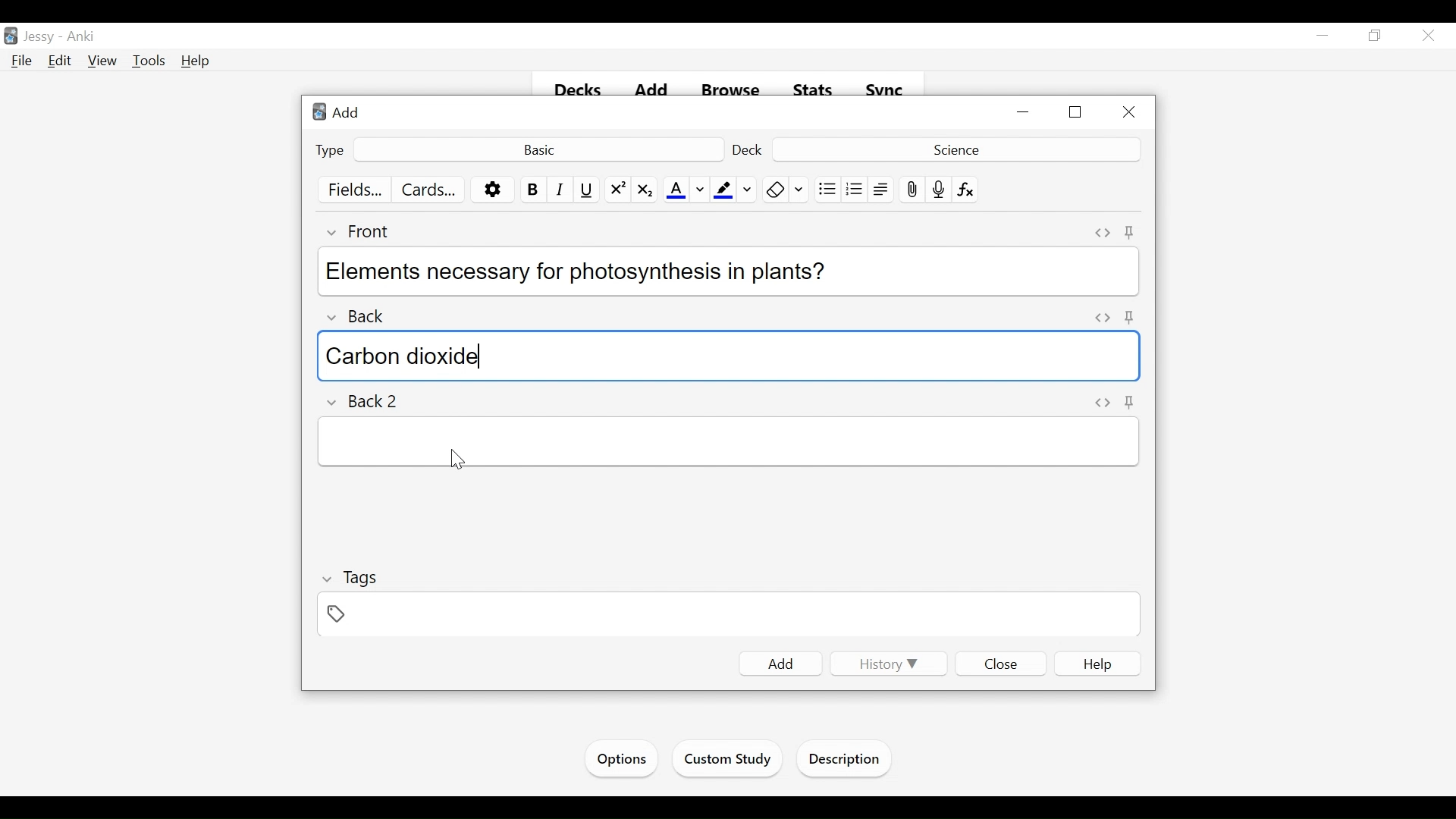  What do you see at coordinates (1098, 664) in the screenshot?
I see `Help` at bounding box center [1098, 664].